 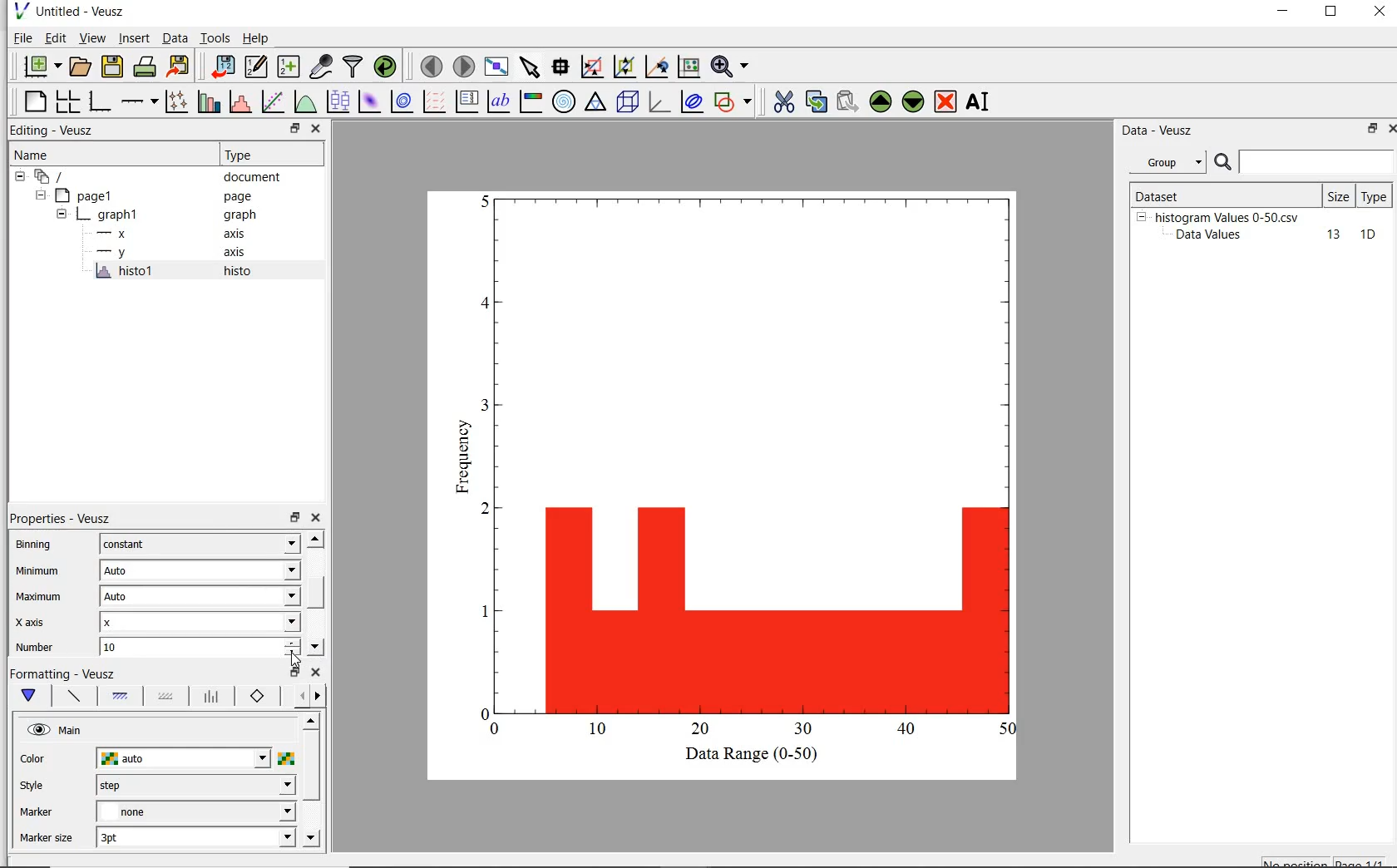 I want to click on type, so click(x=1375, y=195).